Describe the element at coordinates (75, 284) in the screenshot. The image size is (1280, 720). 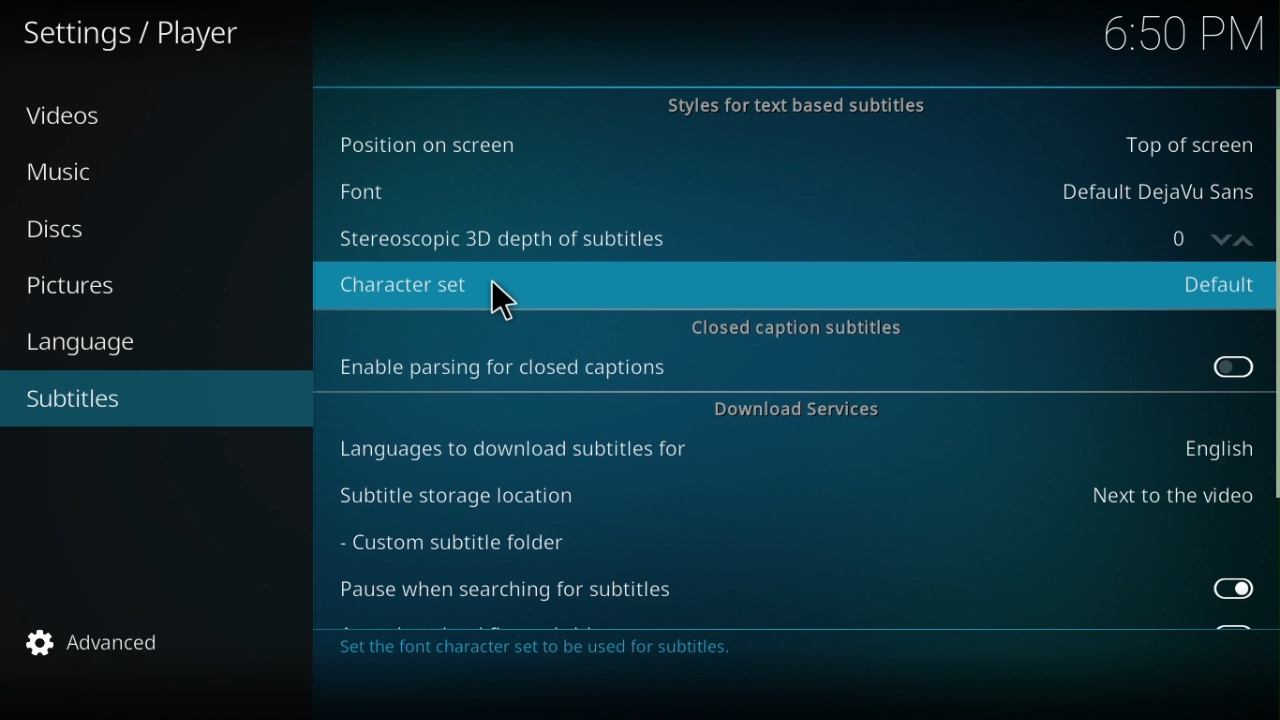
I see `Pictures` at that location.